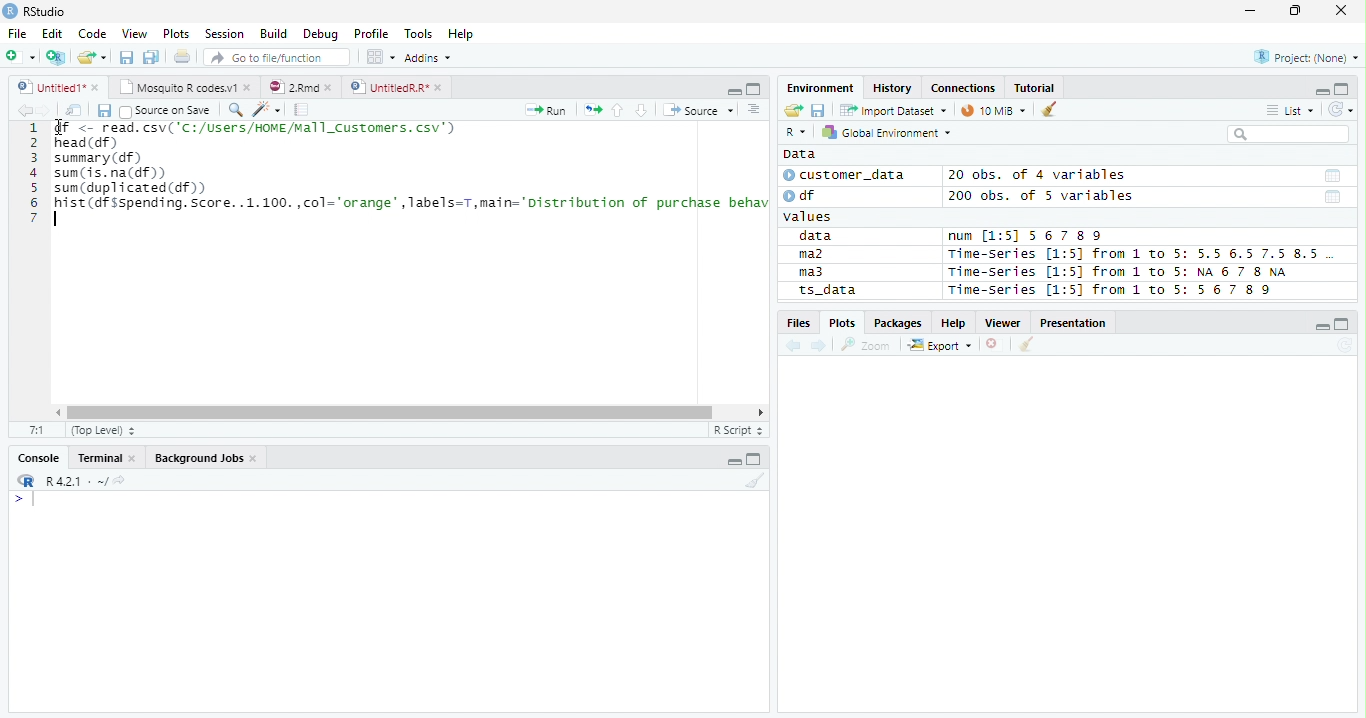  What do you see at coordinates (897, 324) in the screenshot?
I see `Packages` at bounding box center [897, 324].